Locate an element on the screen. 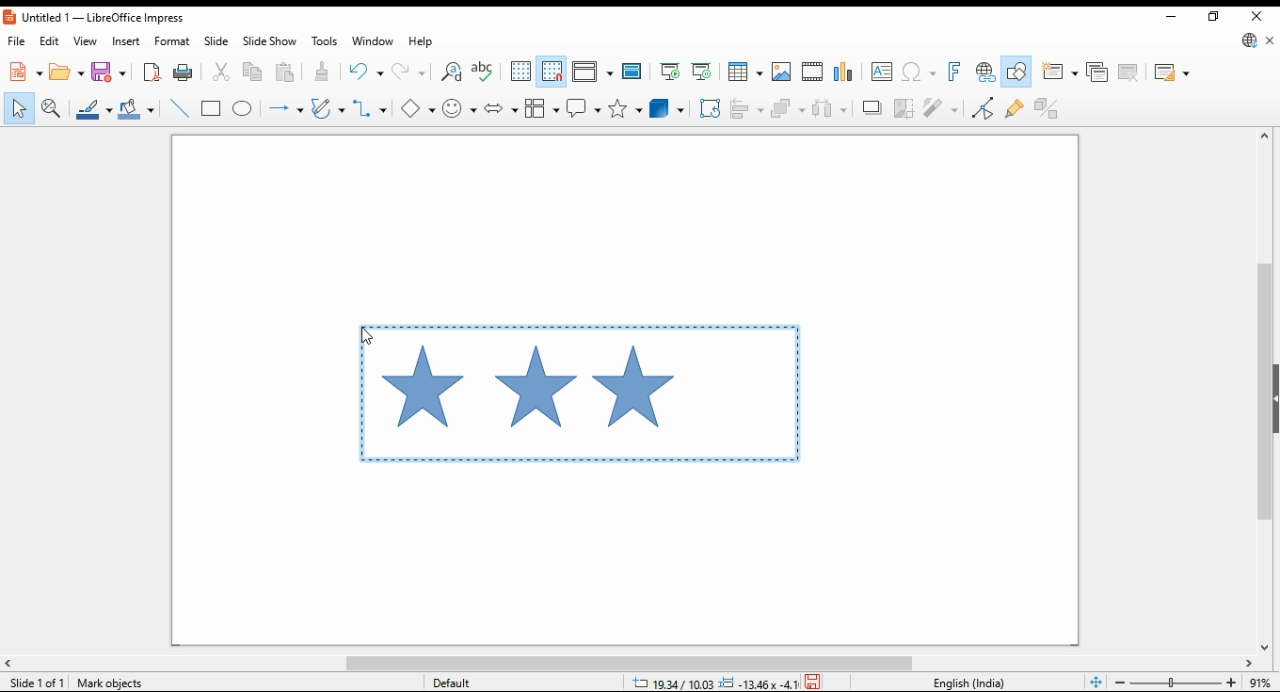  undo is located at coordinates (367, 70).